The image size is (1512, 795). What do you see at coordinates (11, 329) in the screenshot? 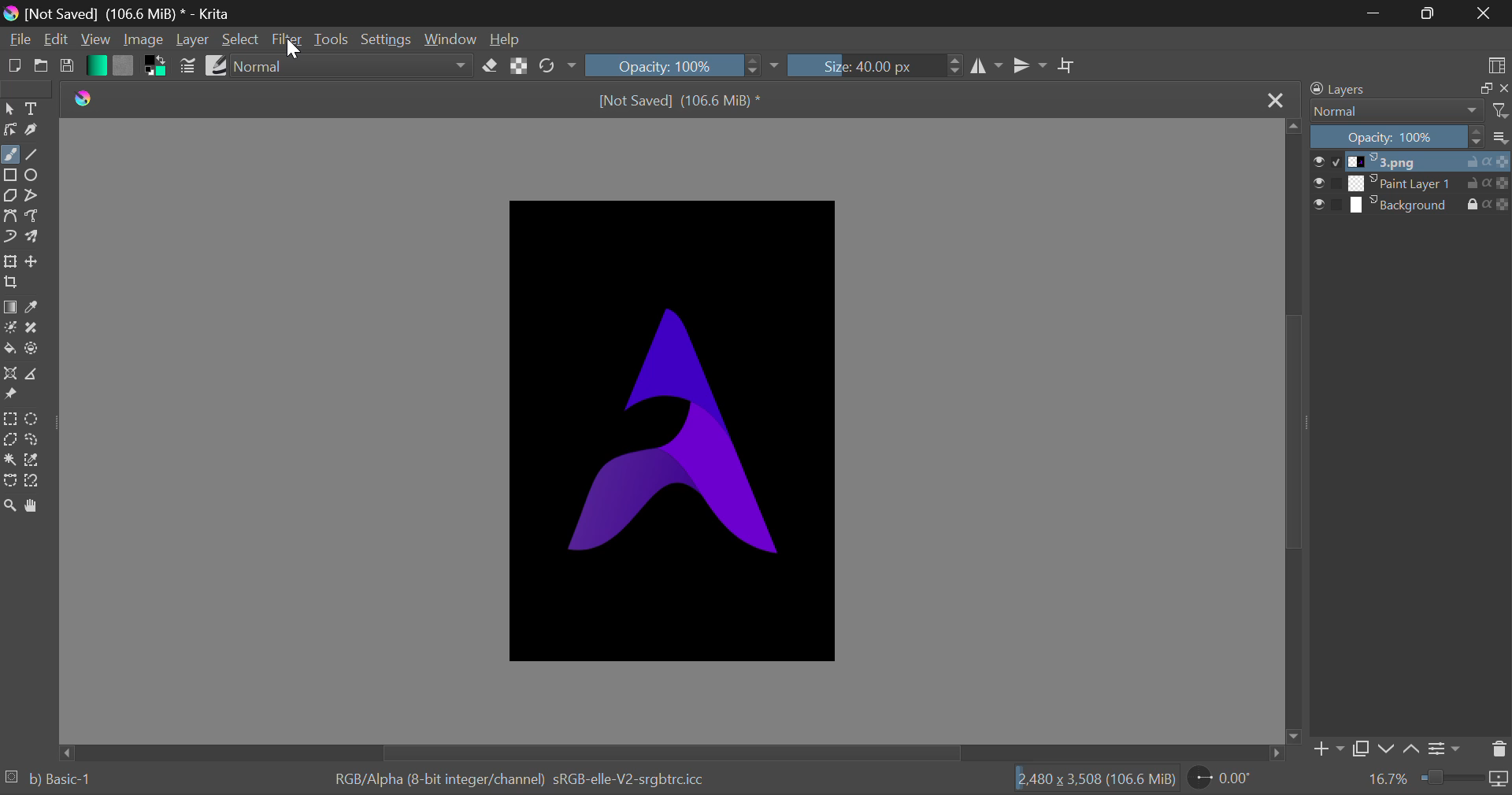
I see `Colorize Mask Tool` at bounding box center [11, 329].